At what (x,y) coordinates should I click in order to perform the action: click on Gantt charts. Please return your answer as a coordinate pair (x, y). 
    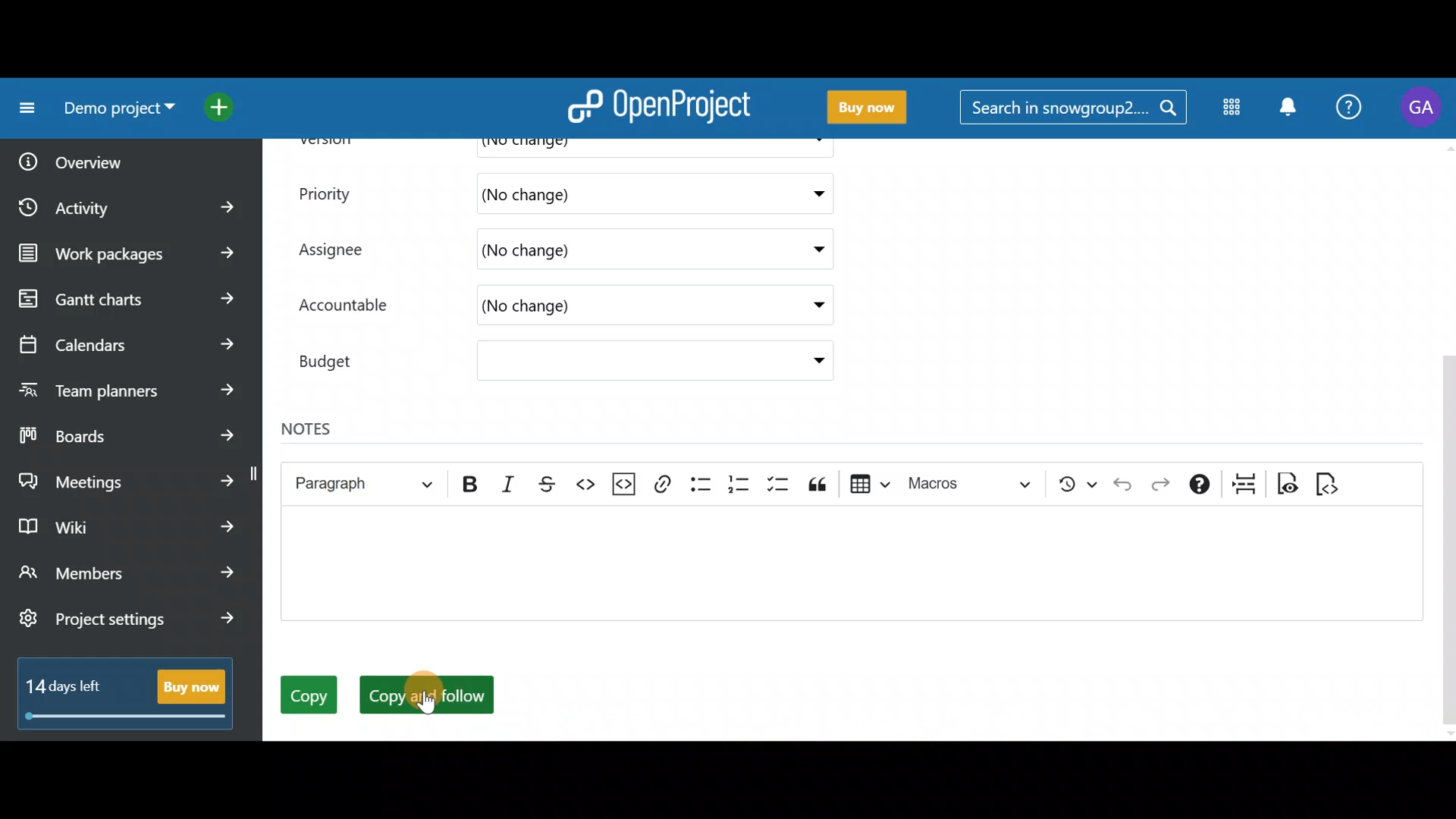
    Looking at the image, I should click on (128, 300).